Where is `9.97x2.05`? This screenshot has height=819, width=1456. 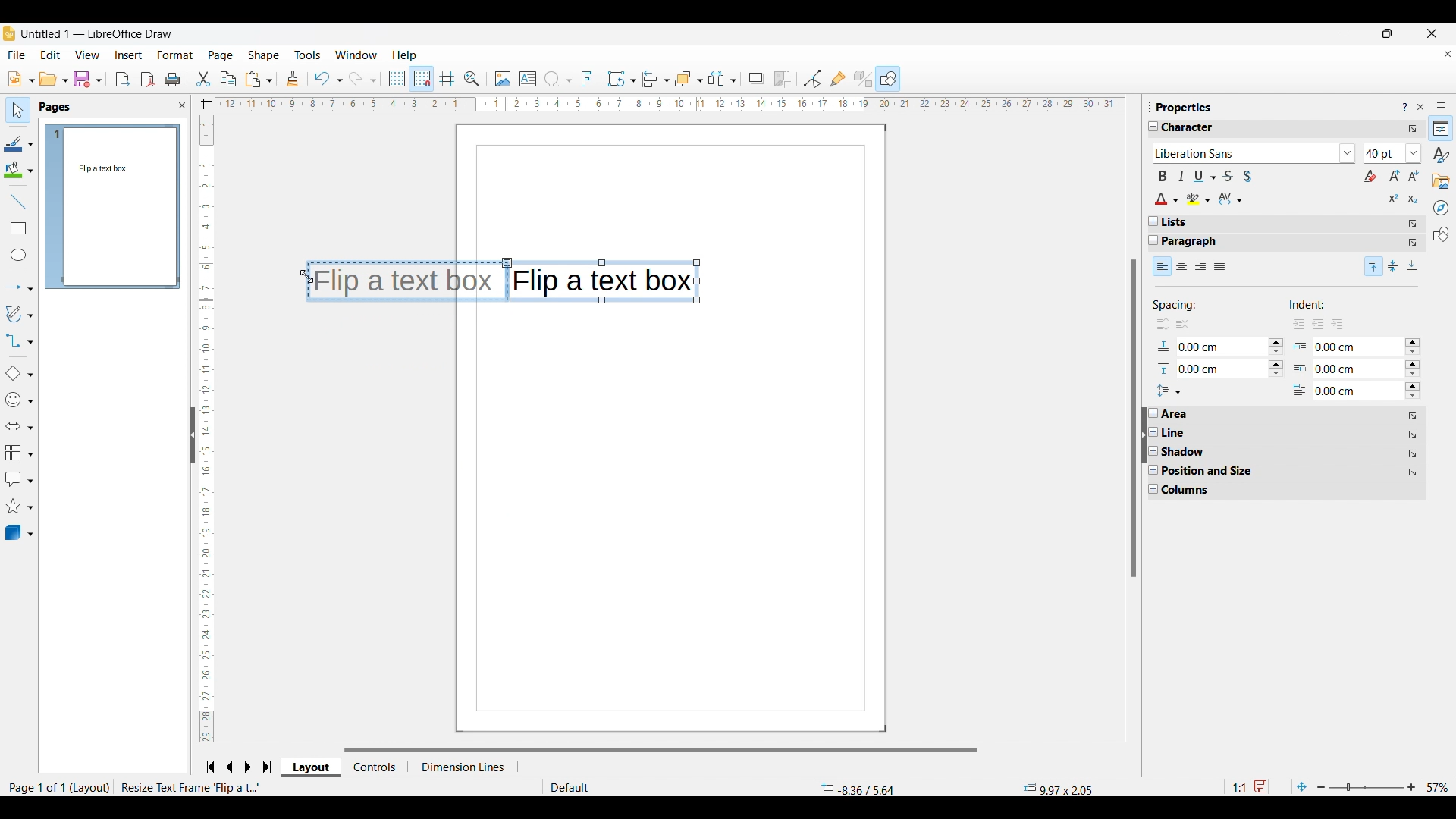
9.97x2.05 is located at coordinates (1061, 788).